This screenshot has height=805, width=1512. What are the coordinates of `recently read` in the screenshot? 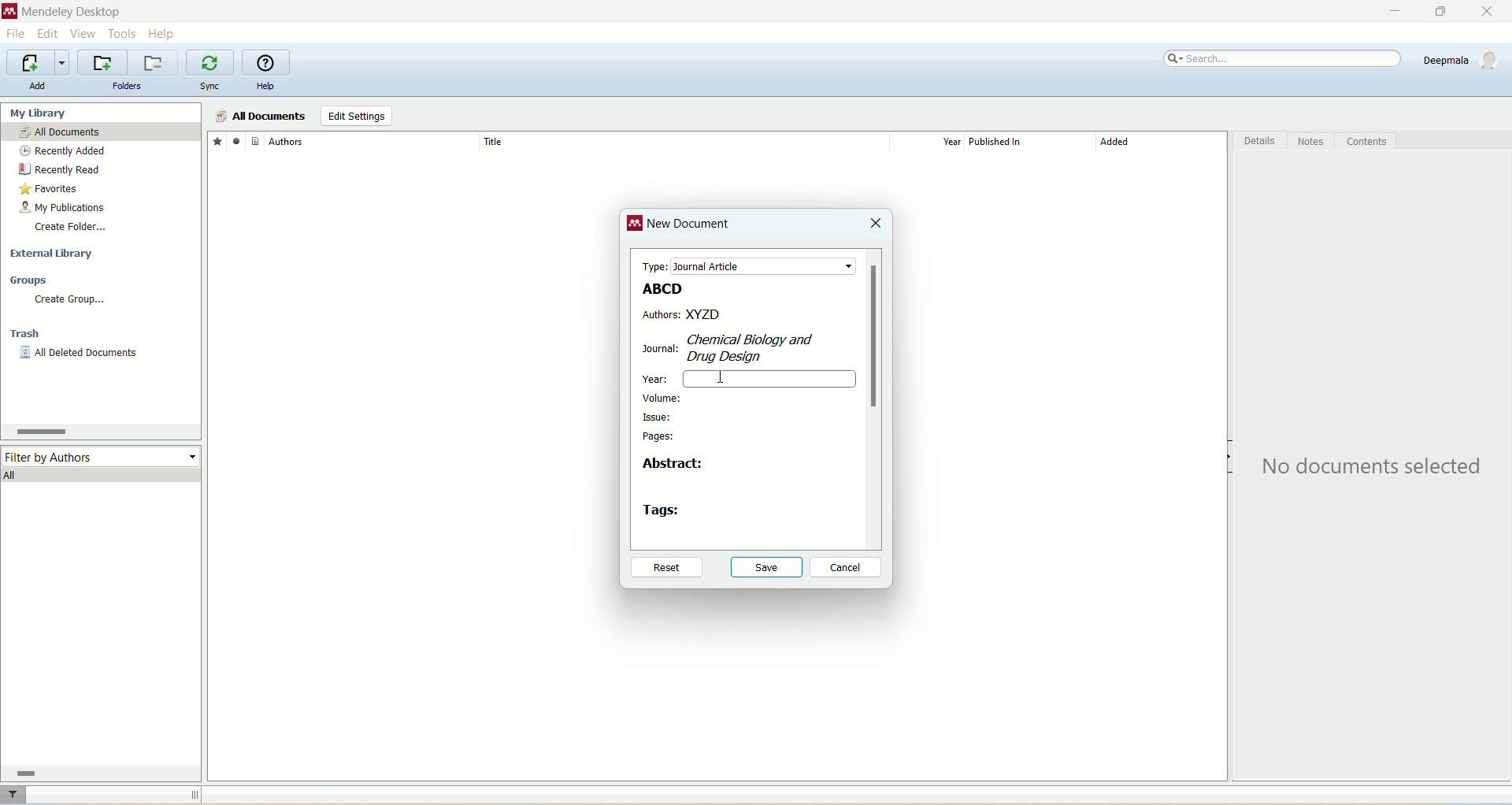 It's located at (59, 169).